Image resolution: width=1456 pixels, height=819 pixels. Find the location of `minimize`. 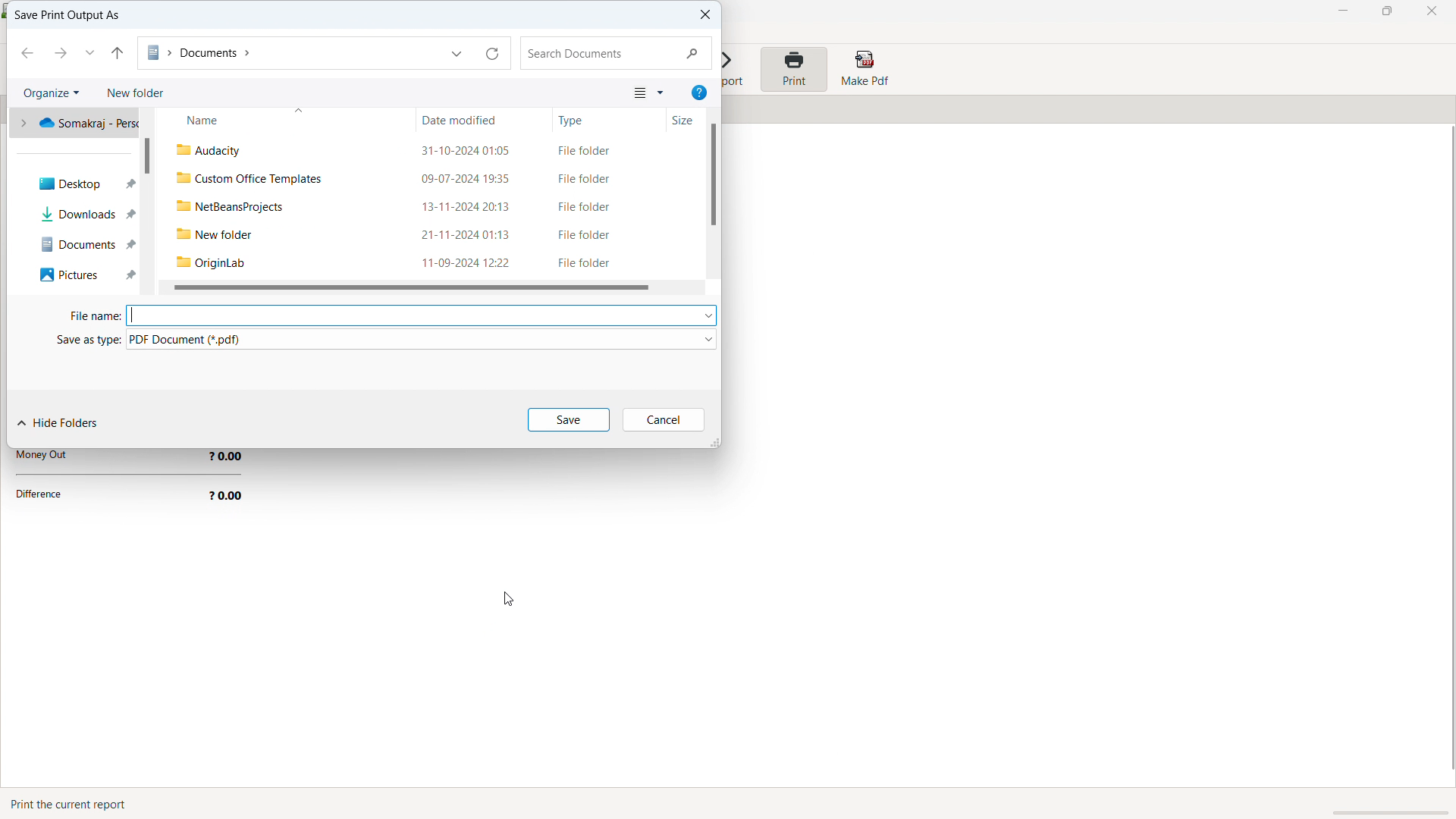

minimize is located at coordinates (1344, 11).